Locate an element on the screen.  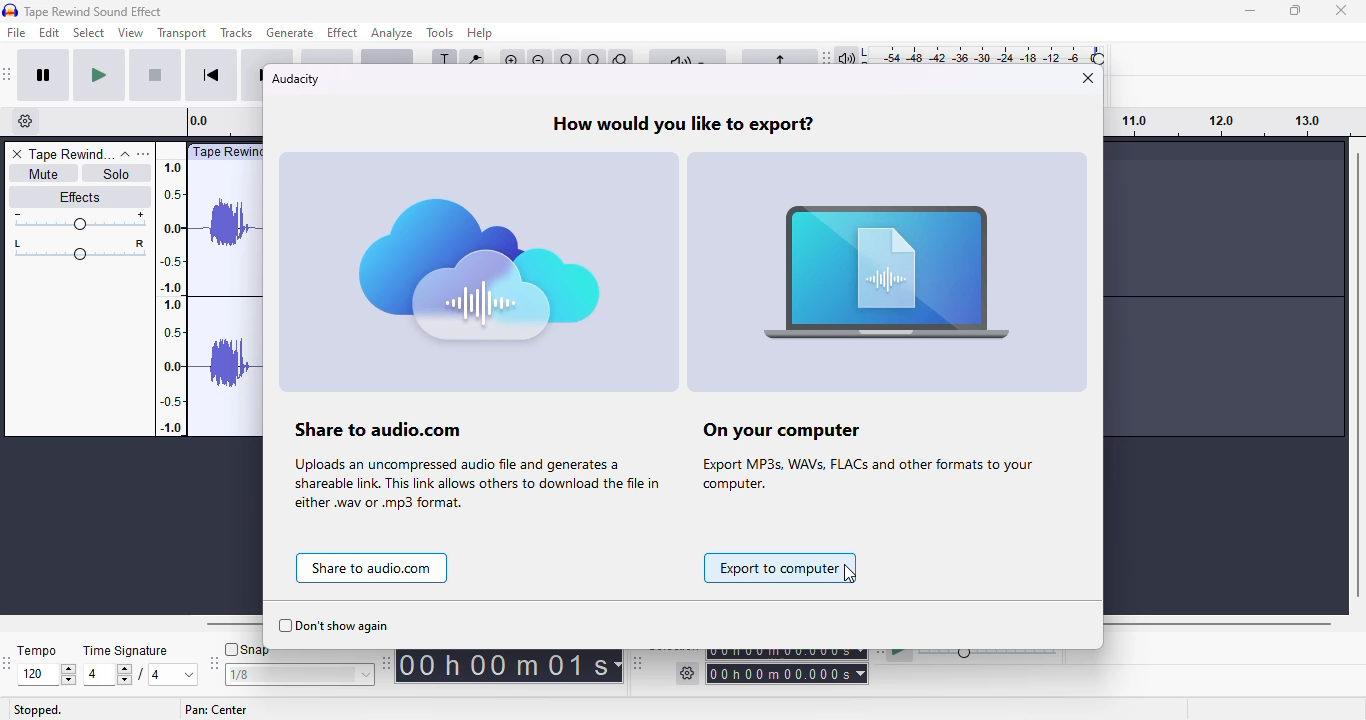
audacity time toolbar is located at coordinates (505, 664).